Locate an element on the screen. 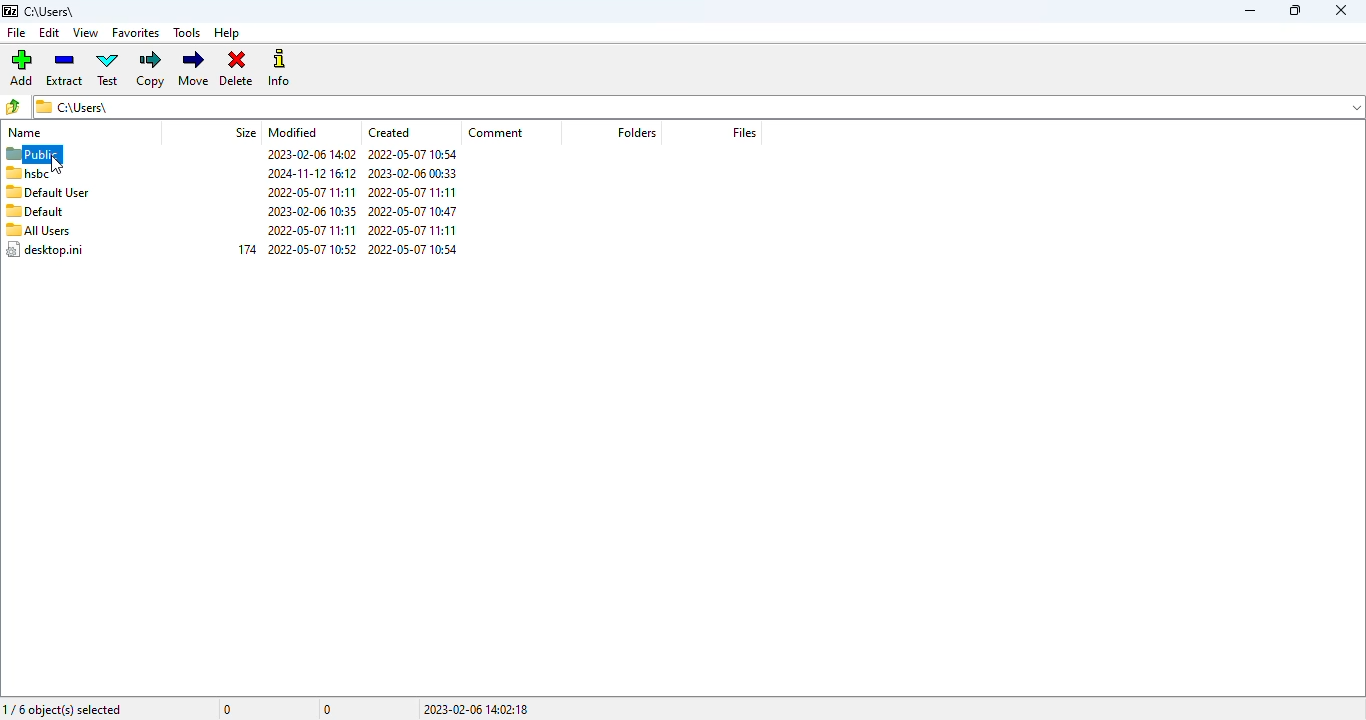  default user is located at coordinates (48, 192).